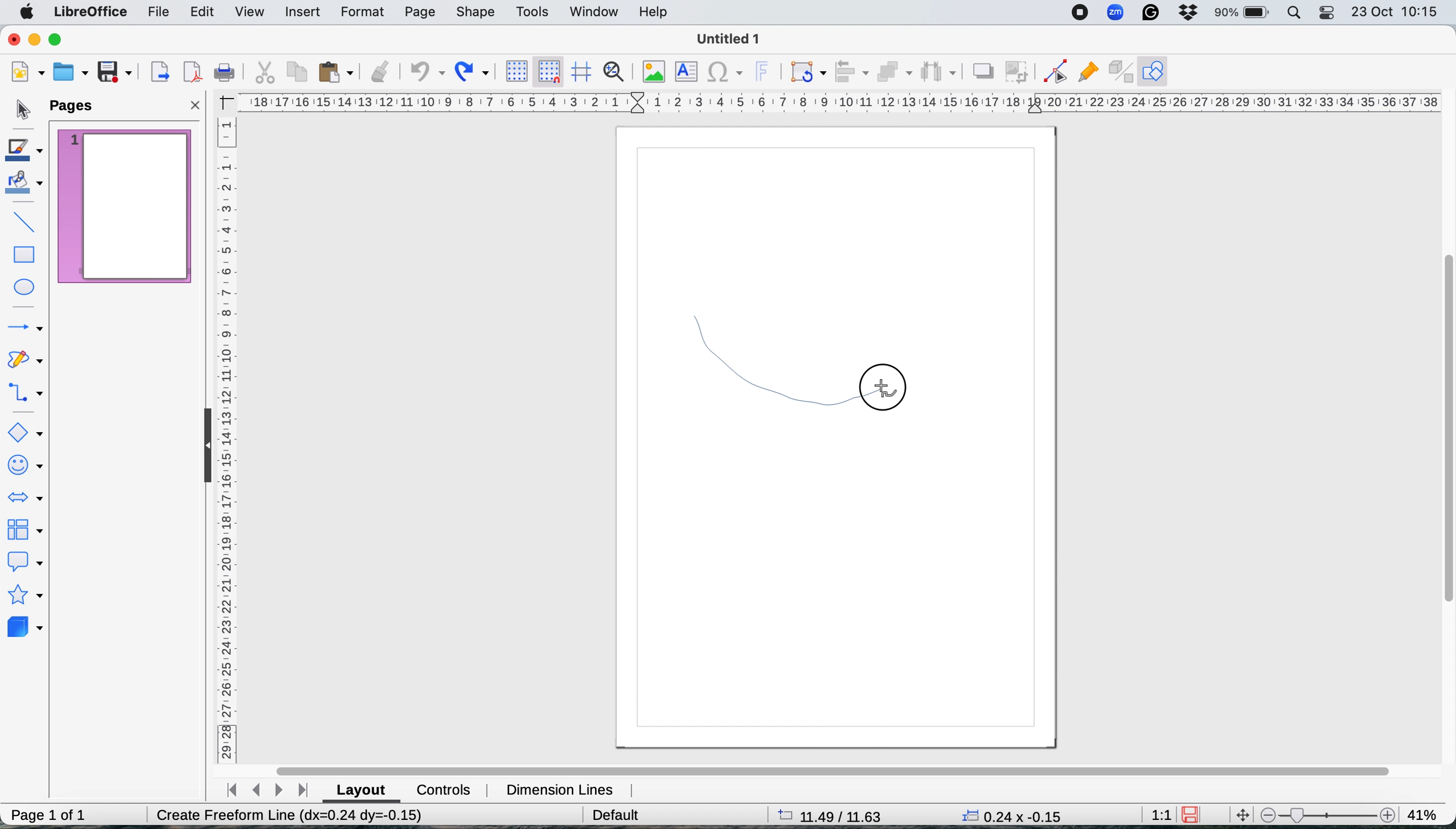 This screenshot has height=829, width=1456. What do you see at coordinates (202, 452) in the screenshot?
I see `collapse` at bounding box center [202, 452].